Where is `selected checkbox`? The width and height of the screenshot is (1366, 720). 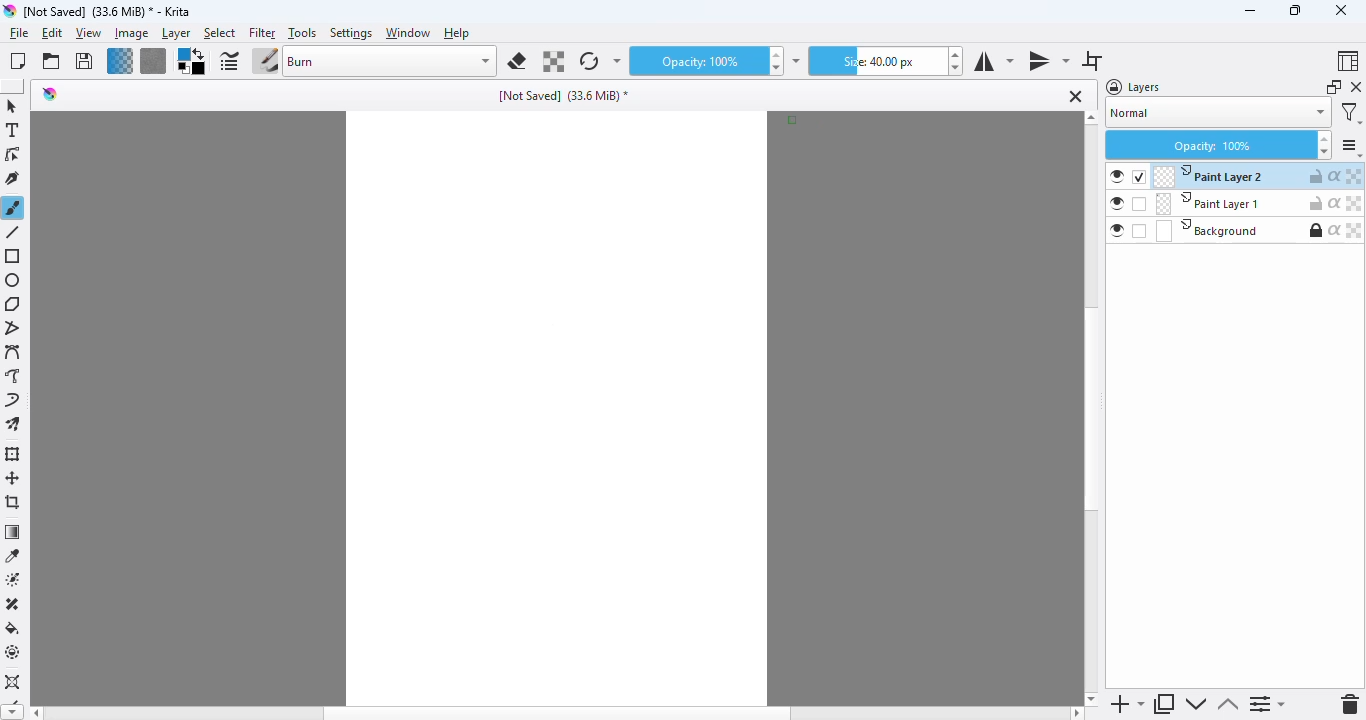
selected checkbox is located at coordinates (1140, 204).